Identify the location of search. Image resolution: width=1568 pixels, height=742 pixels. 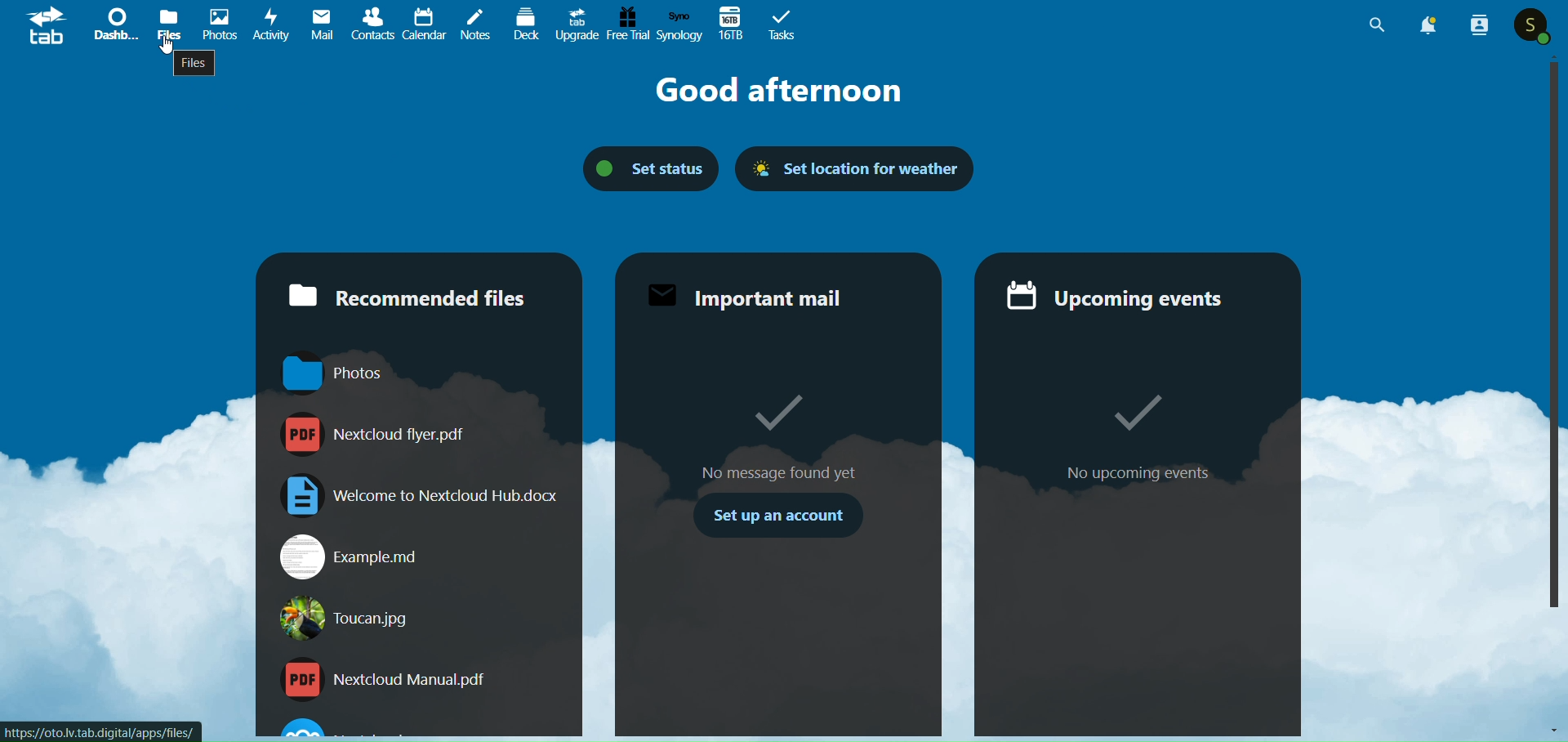
(1370, 26).